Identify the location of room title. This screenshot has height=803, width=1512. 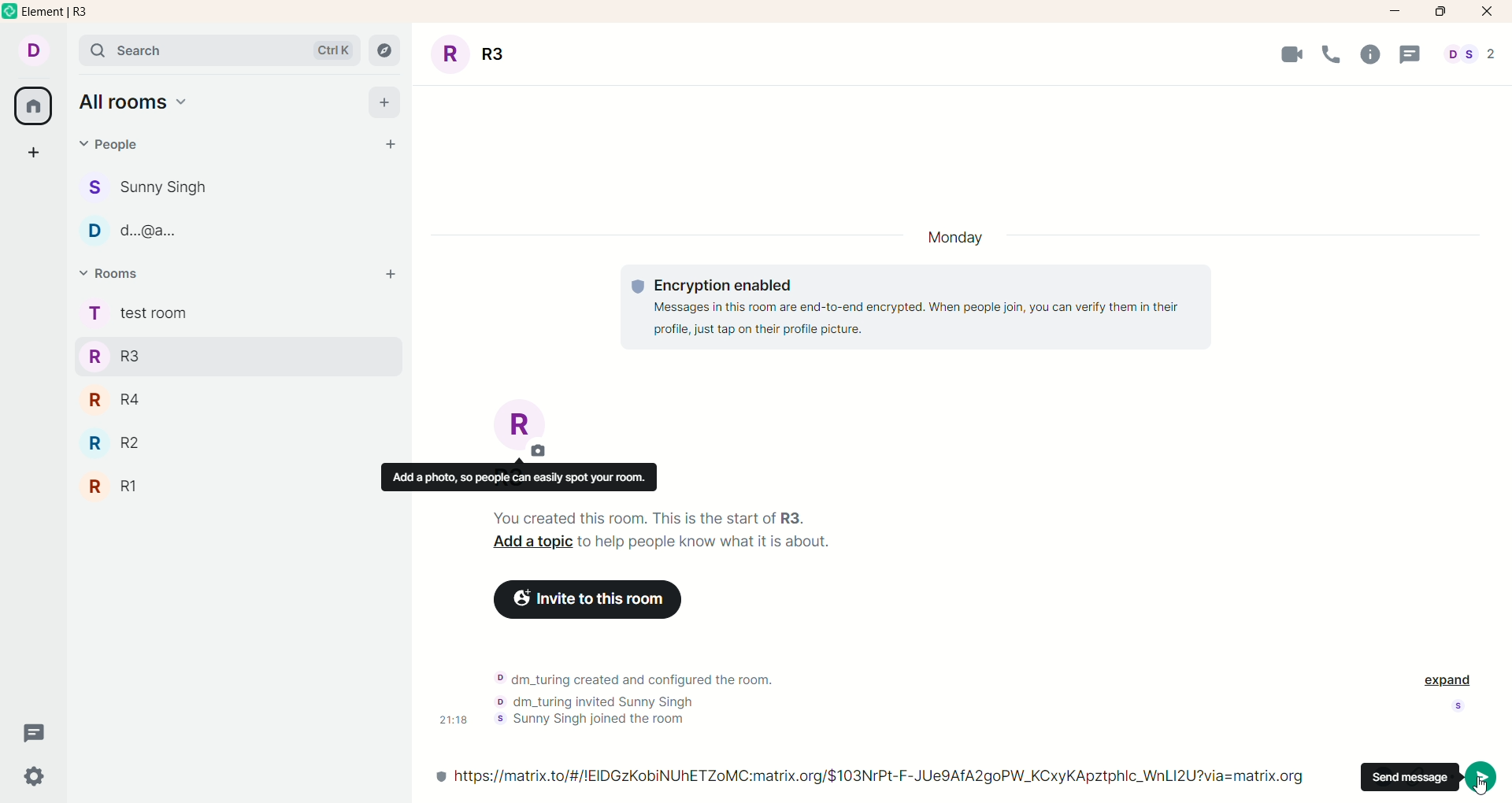
(522, 426).